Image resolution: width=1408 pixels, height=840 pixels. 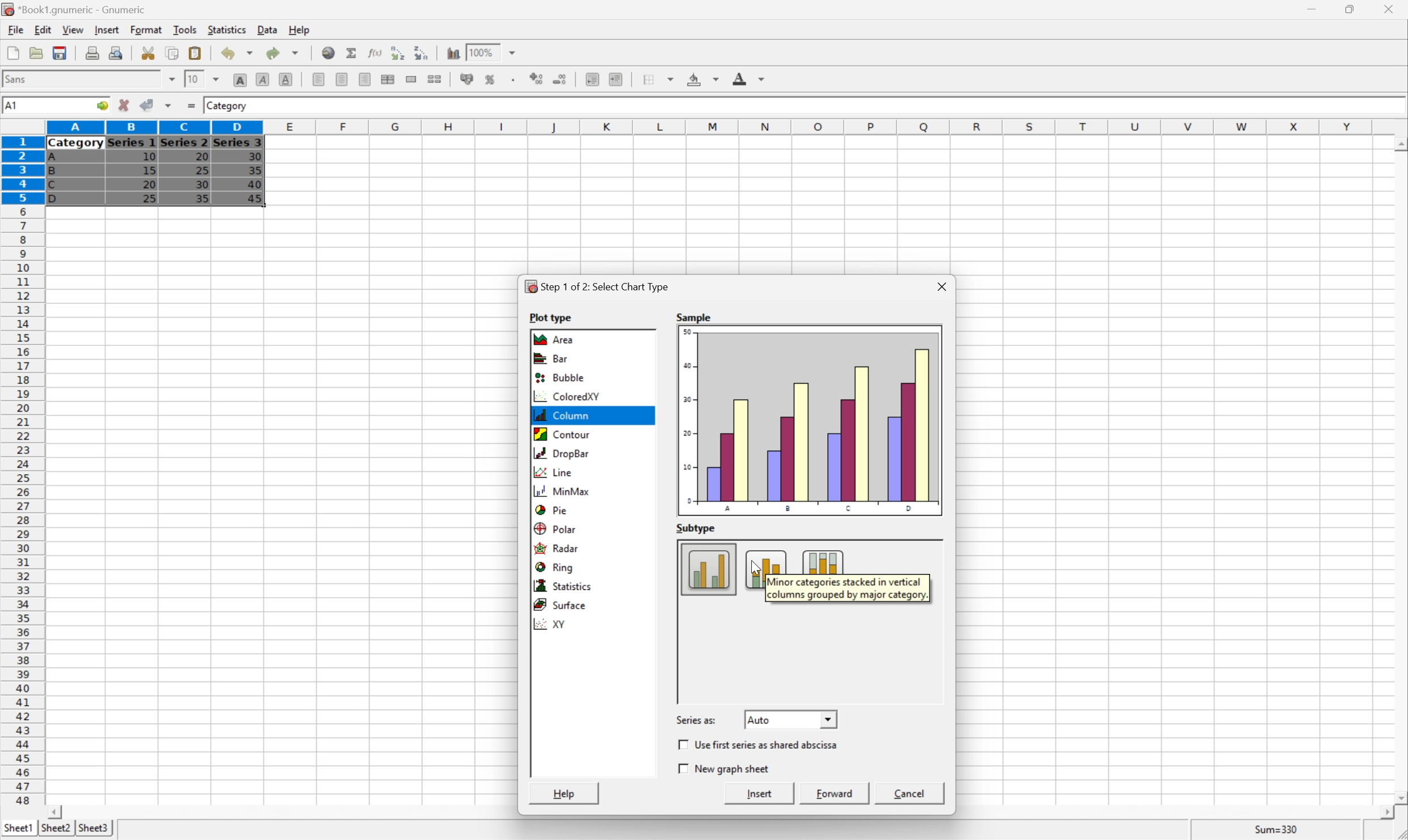 What do you see at coordinates (553, 316) in the screenshot?
I see `Plot type` at bounding box center [553, 316].